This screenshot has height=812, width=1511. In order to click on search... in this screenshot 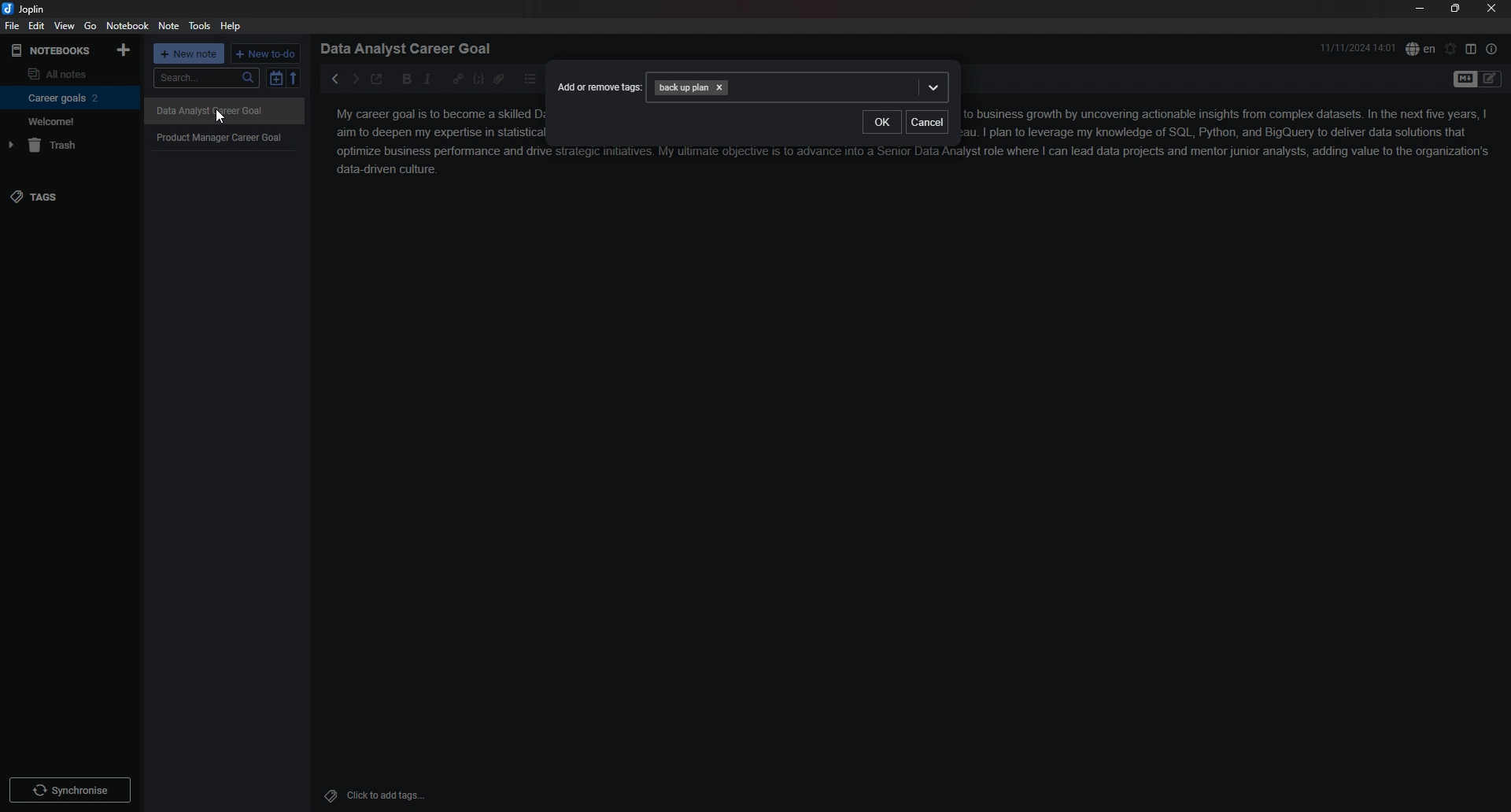, I will do `click(205, 78)`.